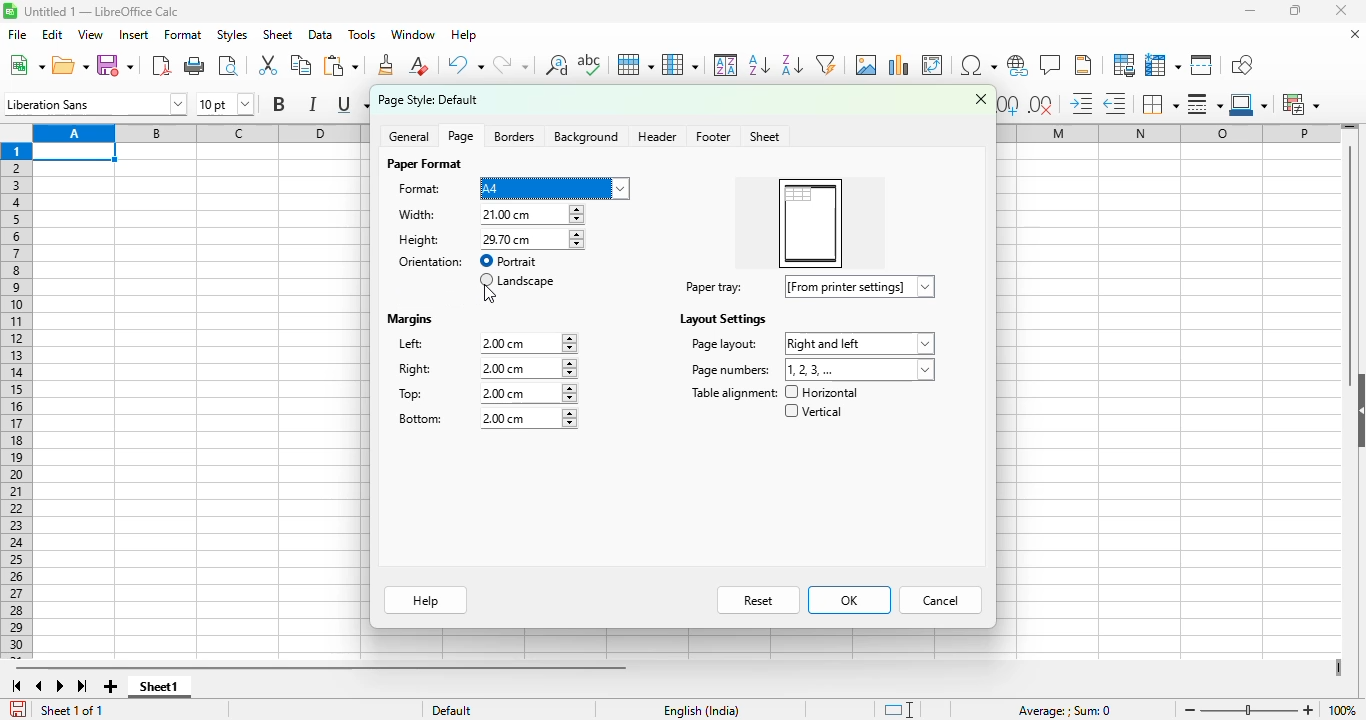 The height and width of the screenshot is (720, 1366). Describe the element at coordinates (423, 164) in the screenshot. I see `paper format` at that location.